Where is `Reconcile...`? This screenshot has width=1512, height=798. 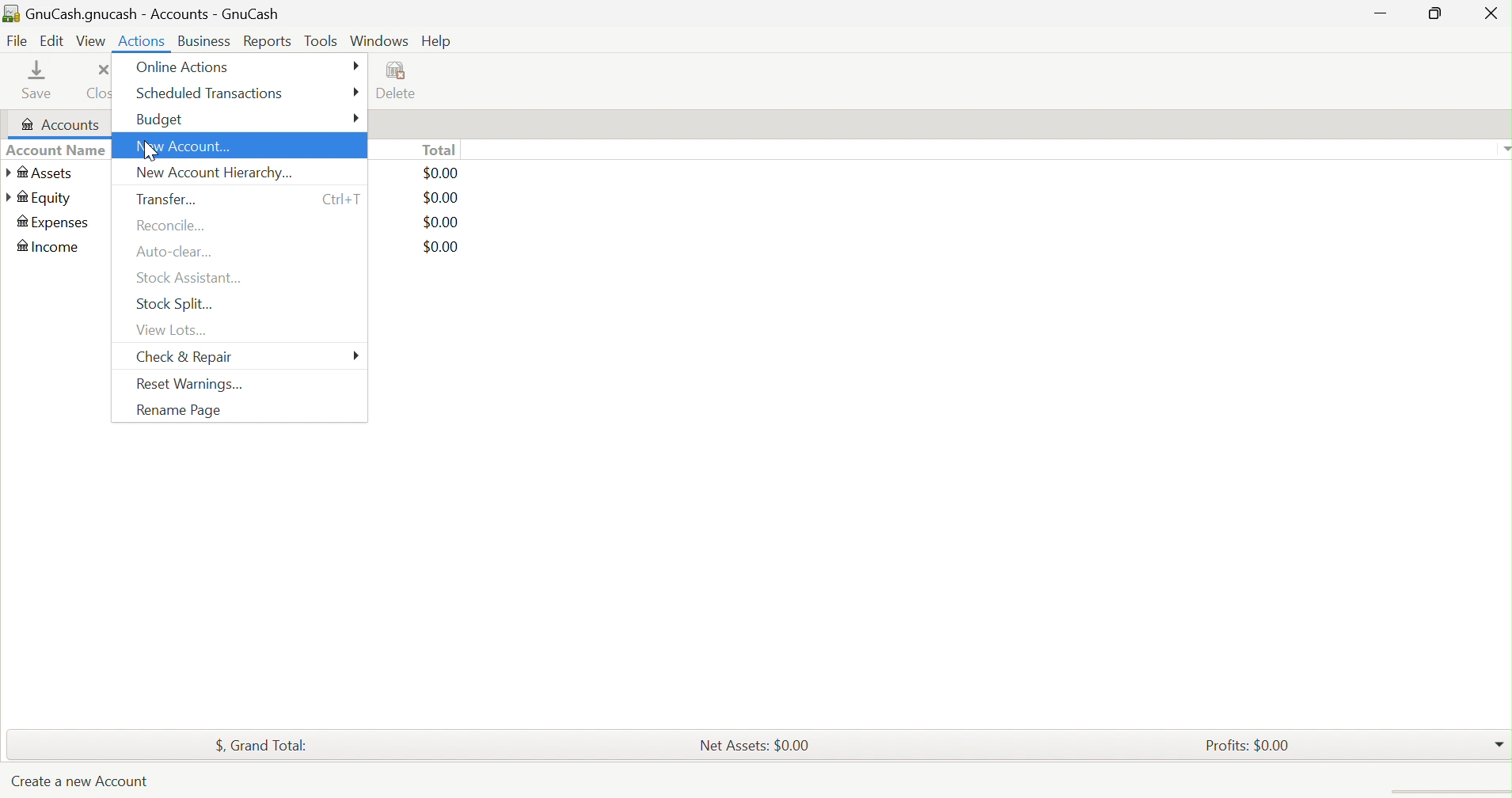 Reconcile... is located at coordinates (169, 225).